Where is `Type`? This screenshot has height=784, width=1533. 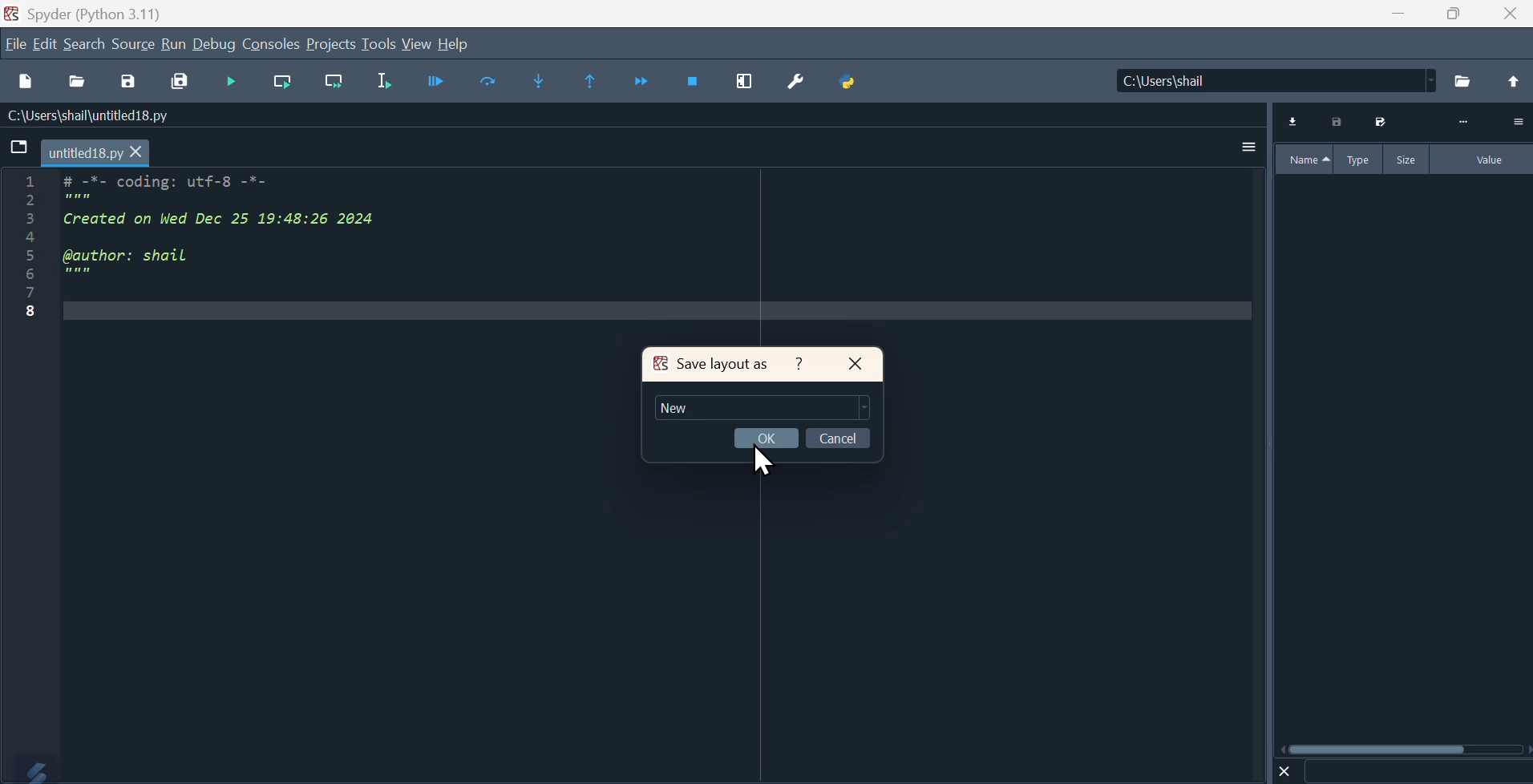
Type is located at coordinates (1361, 159).